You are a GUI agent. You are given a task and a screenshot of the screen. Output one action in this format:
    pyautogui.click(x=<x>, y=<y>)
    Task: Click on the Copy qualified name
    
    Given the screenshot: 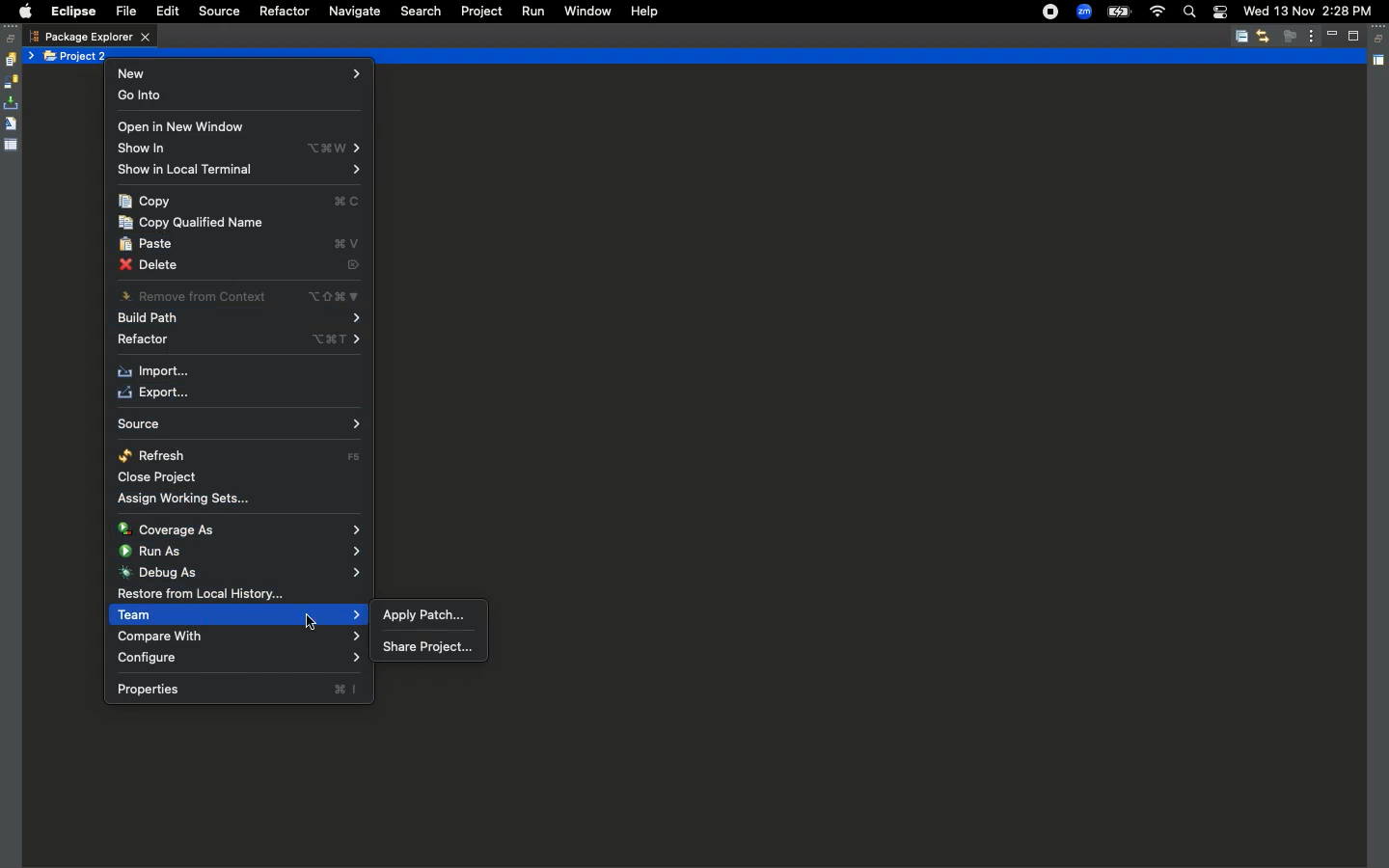 What is the action you would take?
    pyautogui.click(x=194, y=223)
    